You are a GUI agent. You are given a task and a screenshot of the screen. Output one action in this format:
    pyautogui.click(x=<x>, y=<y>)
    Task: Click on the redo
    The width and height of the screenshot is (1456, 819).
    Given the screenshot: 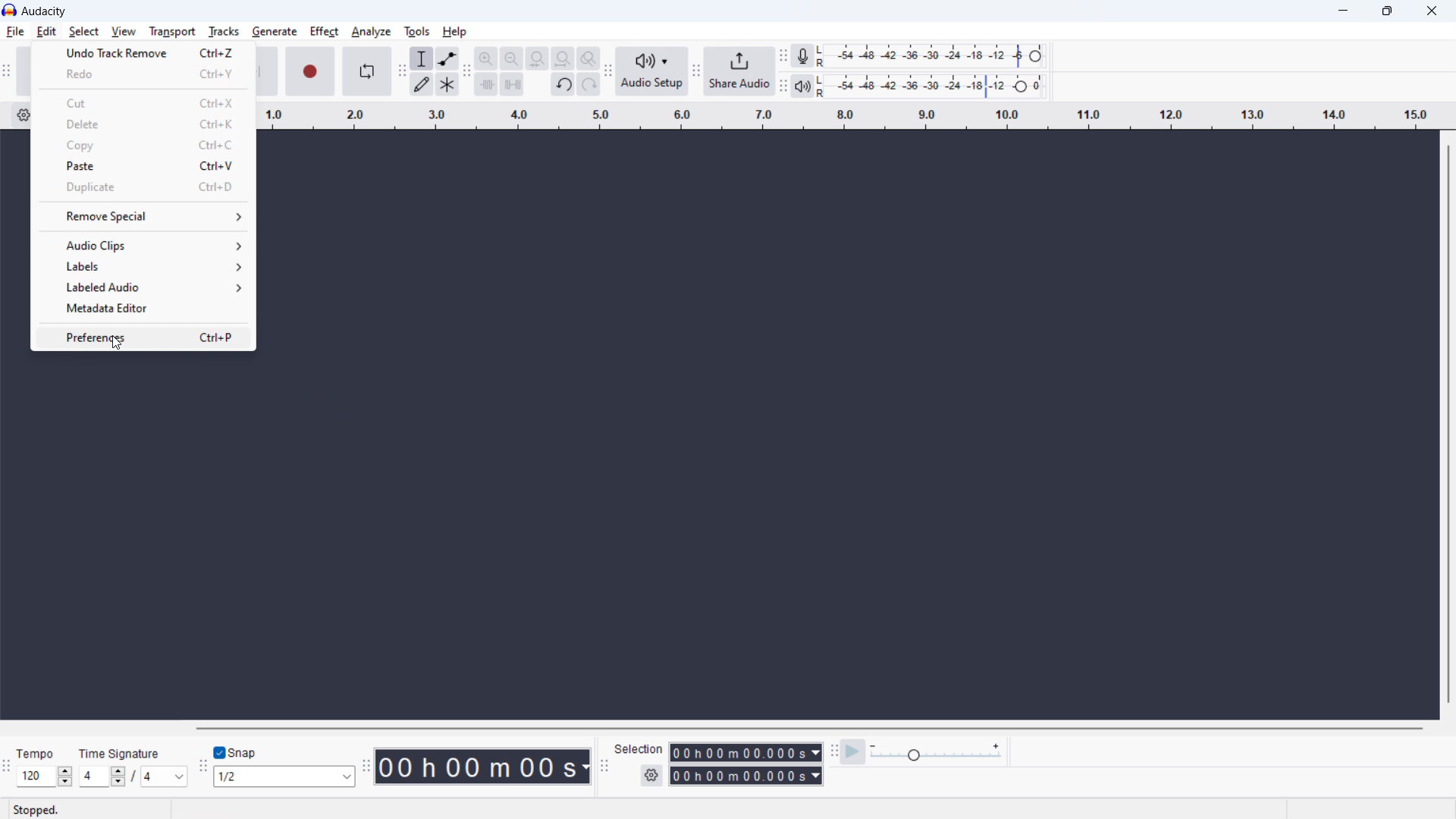 What is the action you would take?
    pyautogui.click(x=589, y=84)
    